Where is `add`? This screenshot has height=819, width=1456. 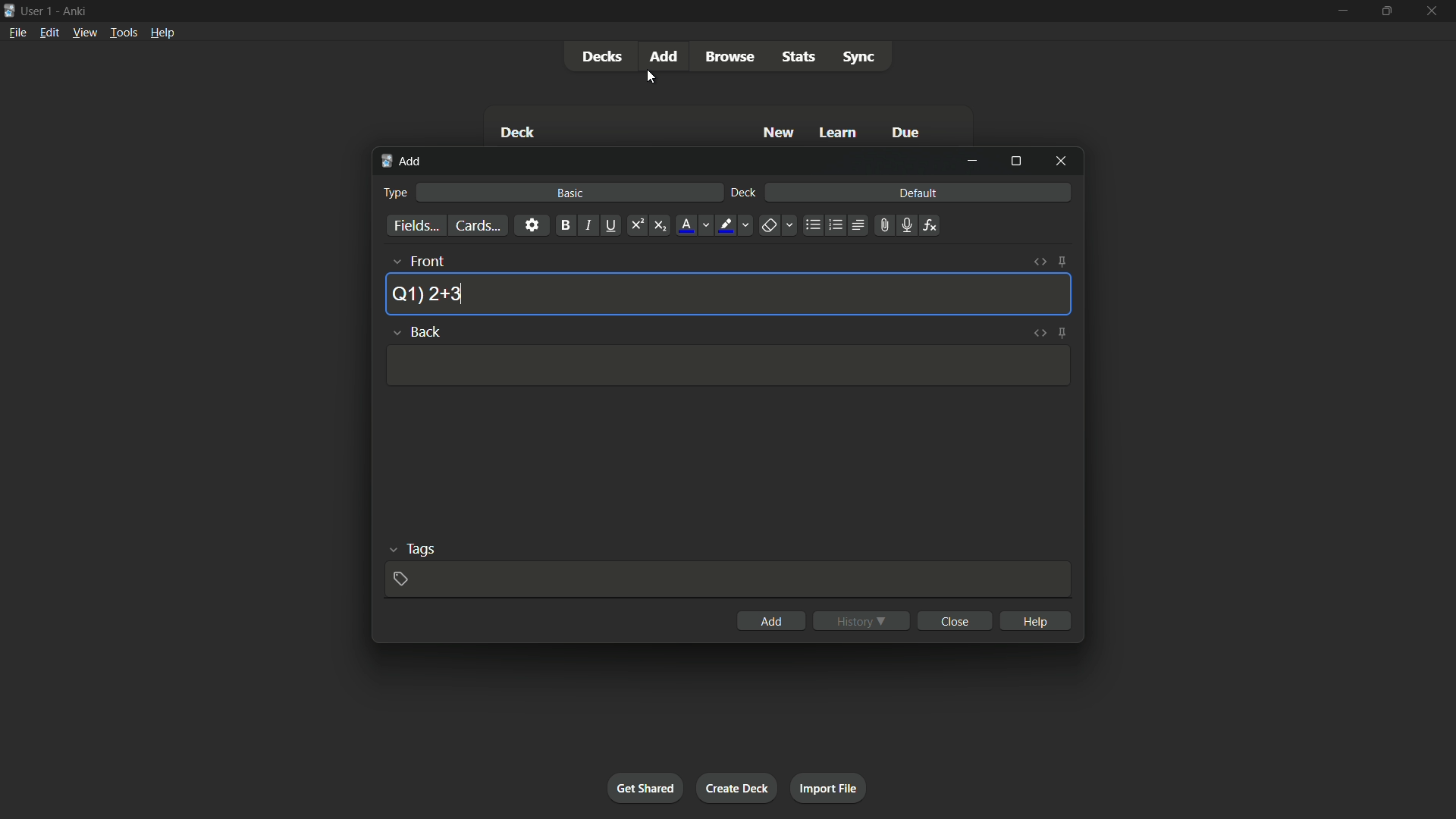
add is located at coordinates (403, 162).